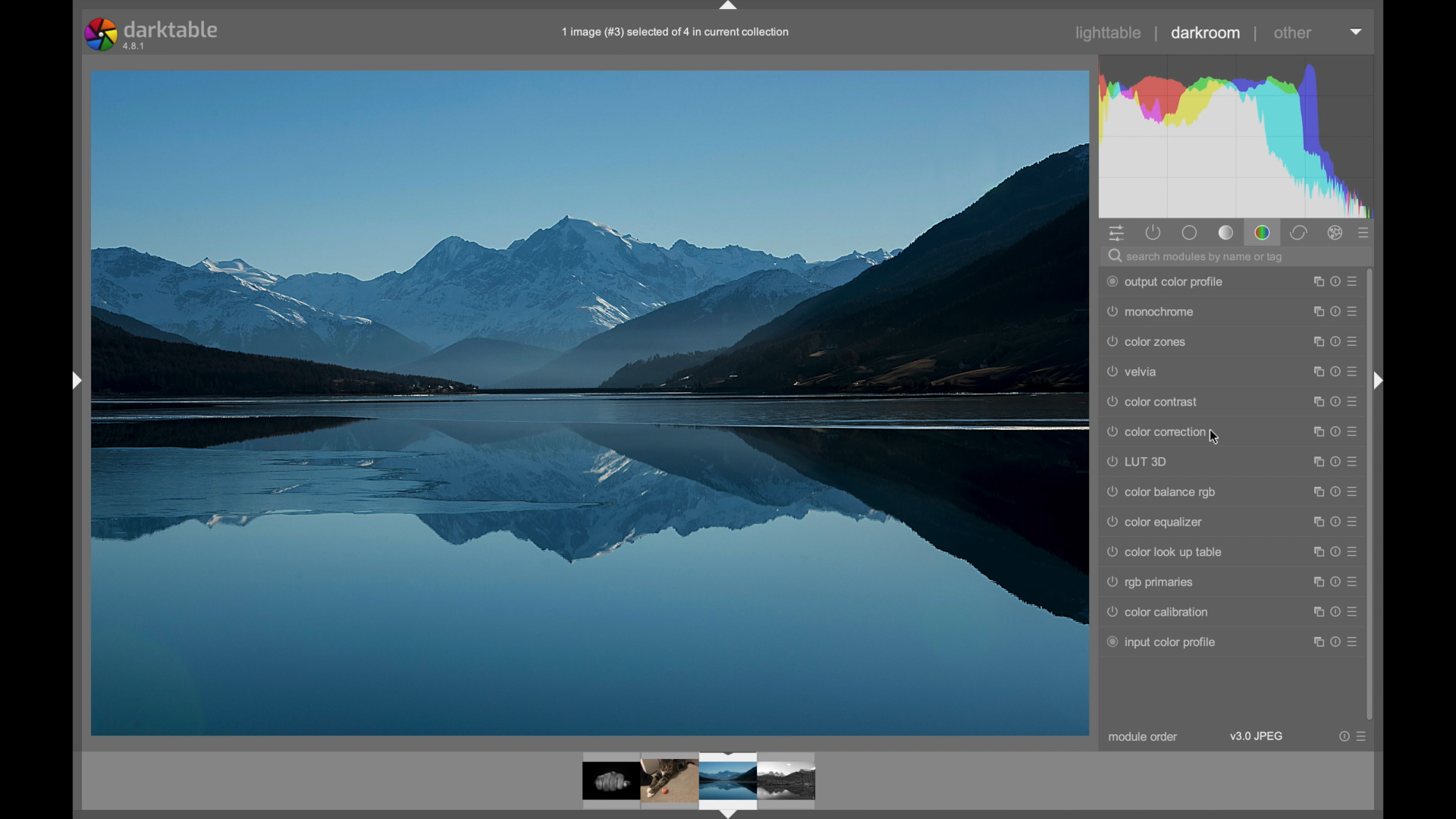  Describe the element at coordinates (74, 381) in the screenshot. I see `sidebar` at that location.